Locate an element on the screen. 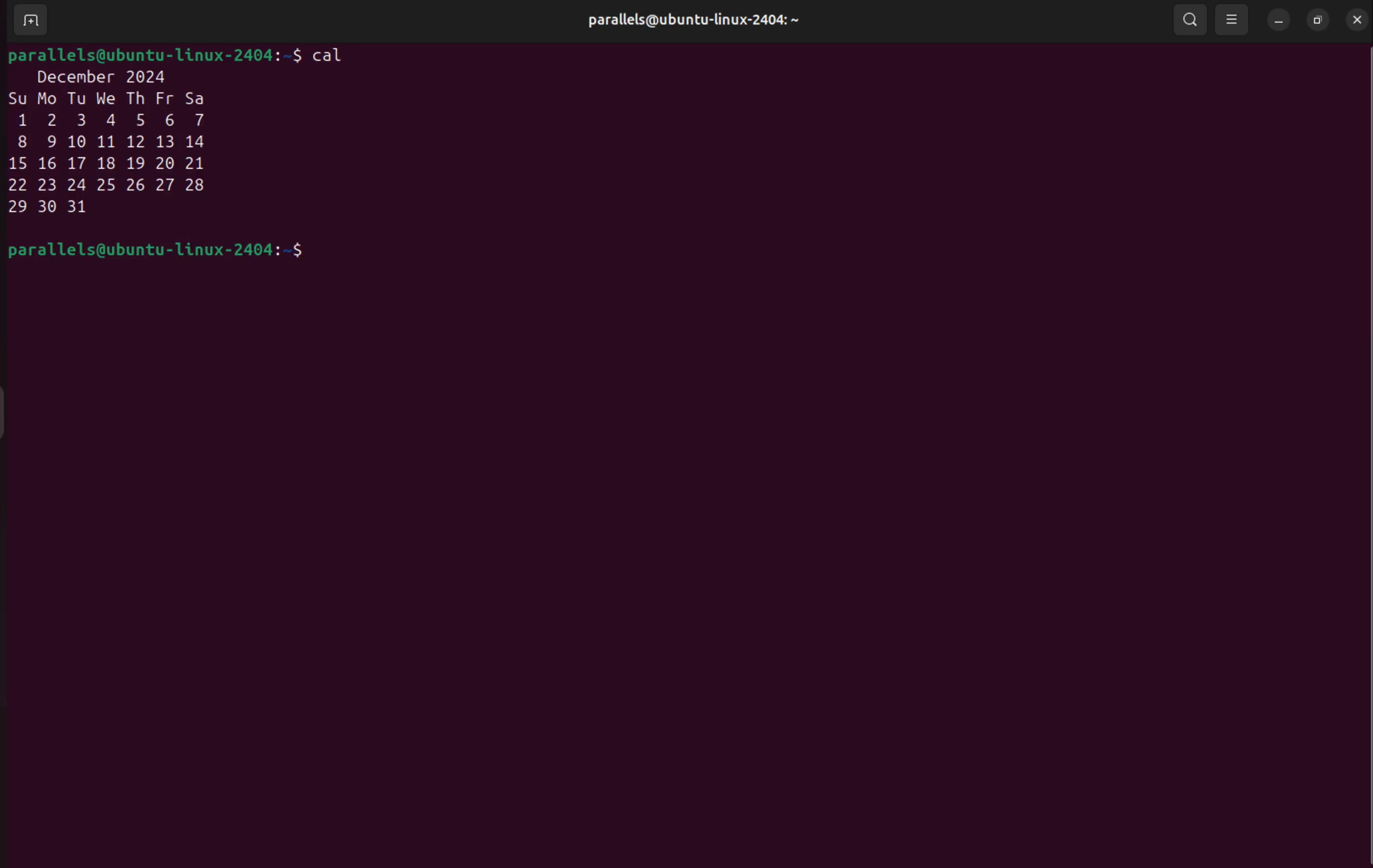  Scrollbar is located at coordinates (1362, 447).